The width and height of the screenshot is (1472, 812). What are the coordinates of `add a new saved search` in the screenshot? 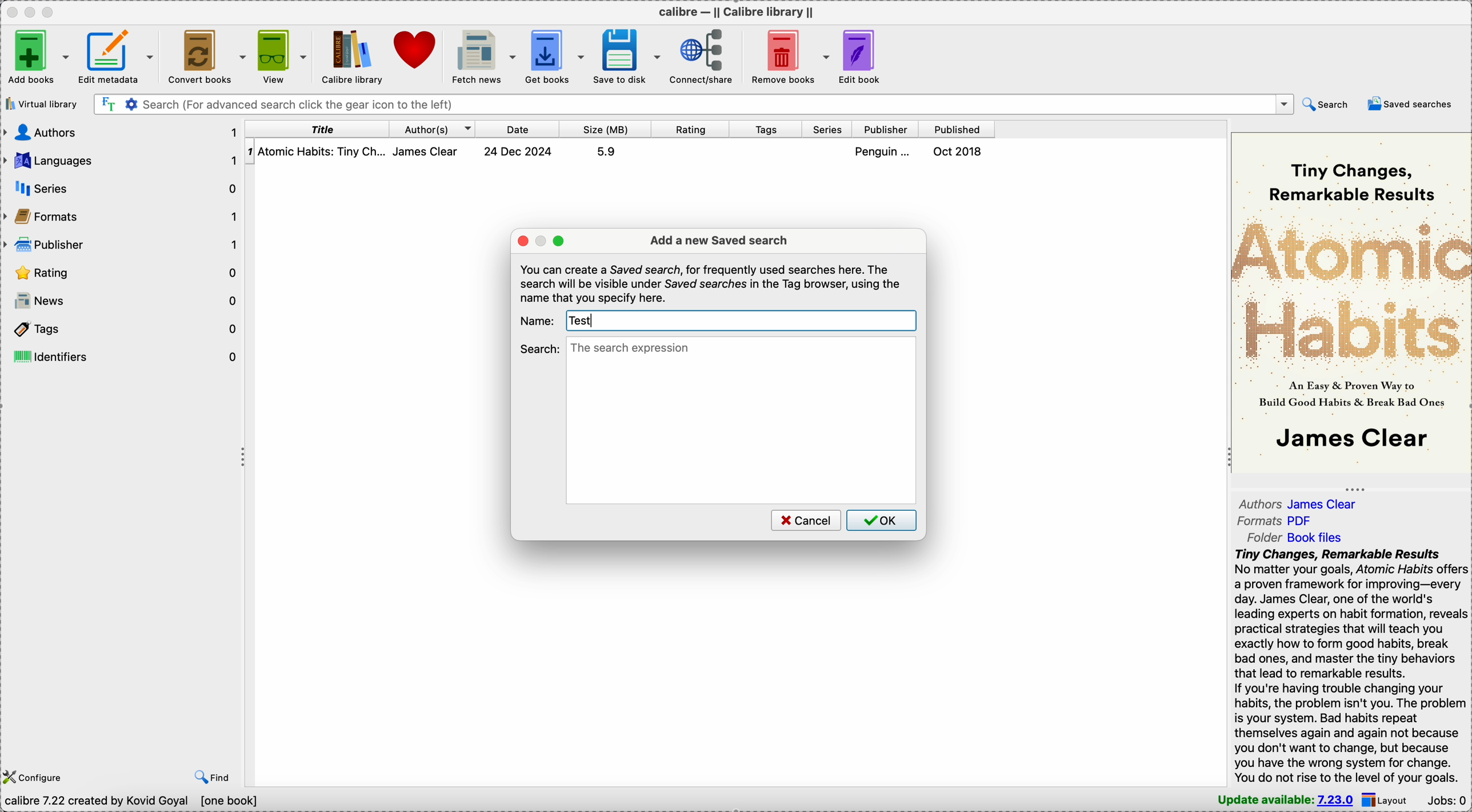 It's located at (719, 241).